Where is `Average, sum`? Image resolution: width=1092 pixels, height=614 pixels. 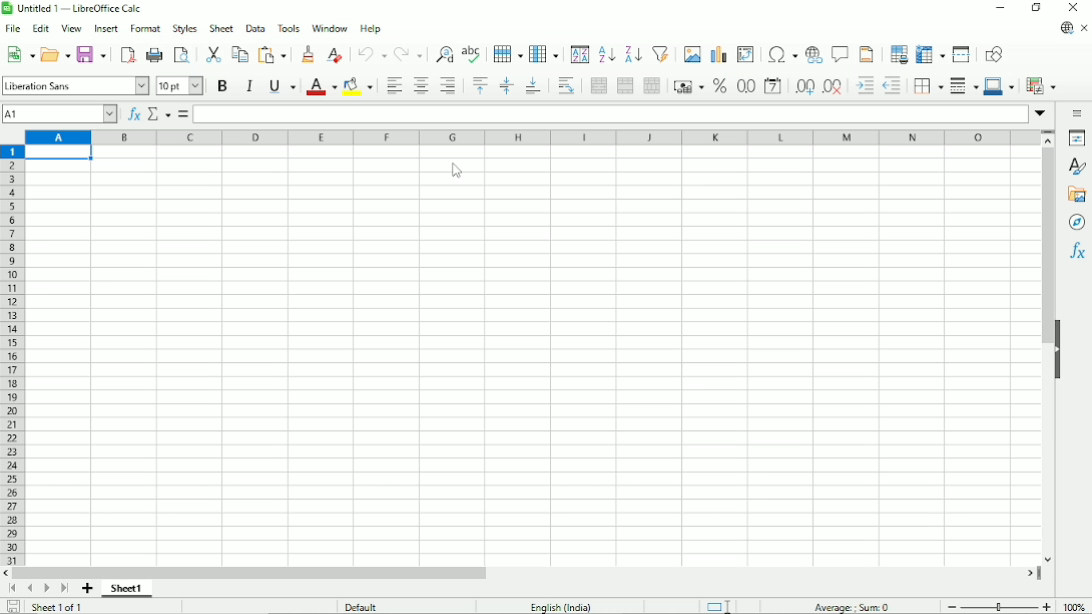
Average, sum is located at coordinates (853, 606).